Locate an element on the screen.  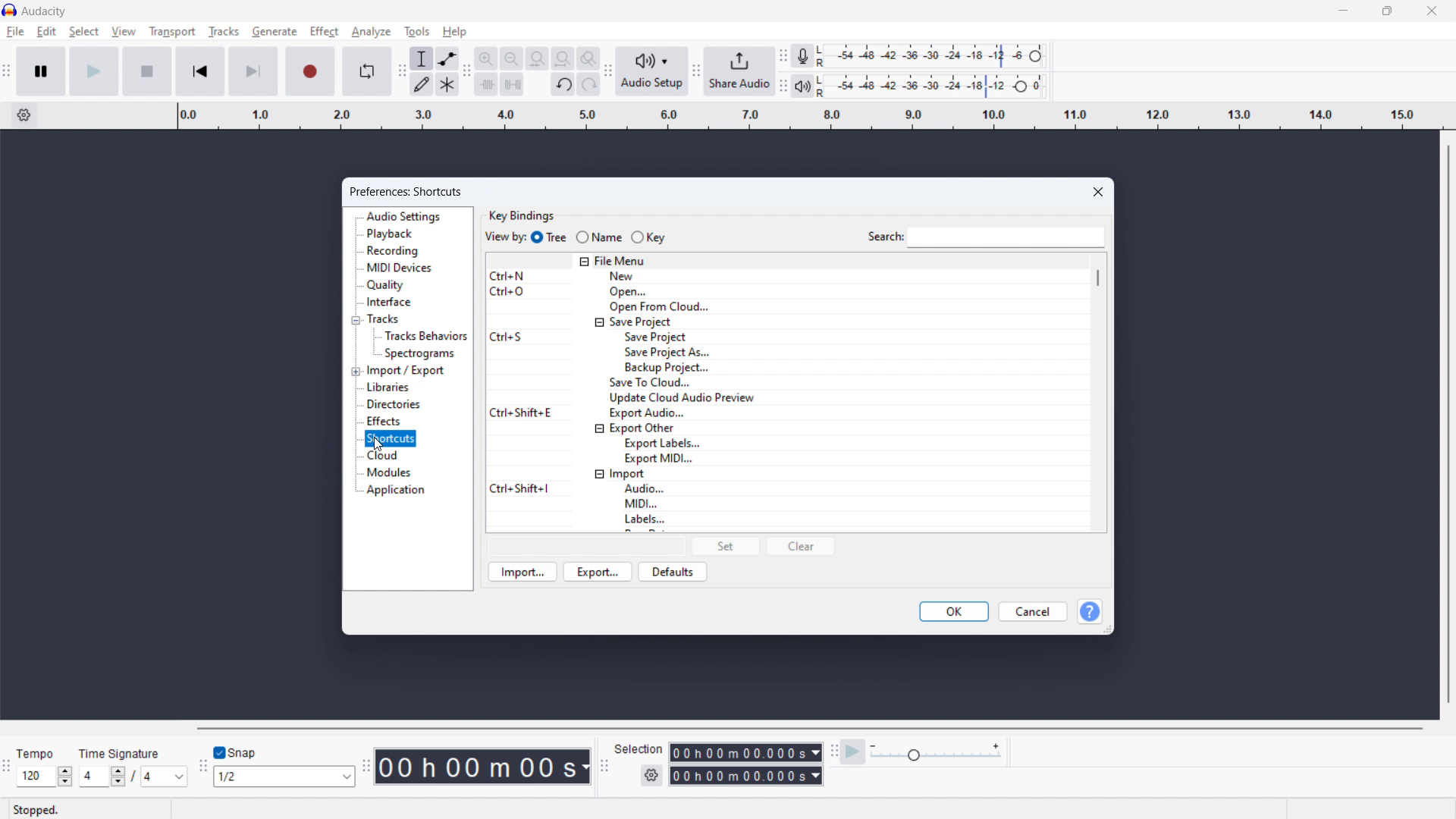
Enables movement of time signature toolbar is located at coordinates (5, 767).